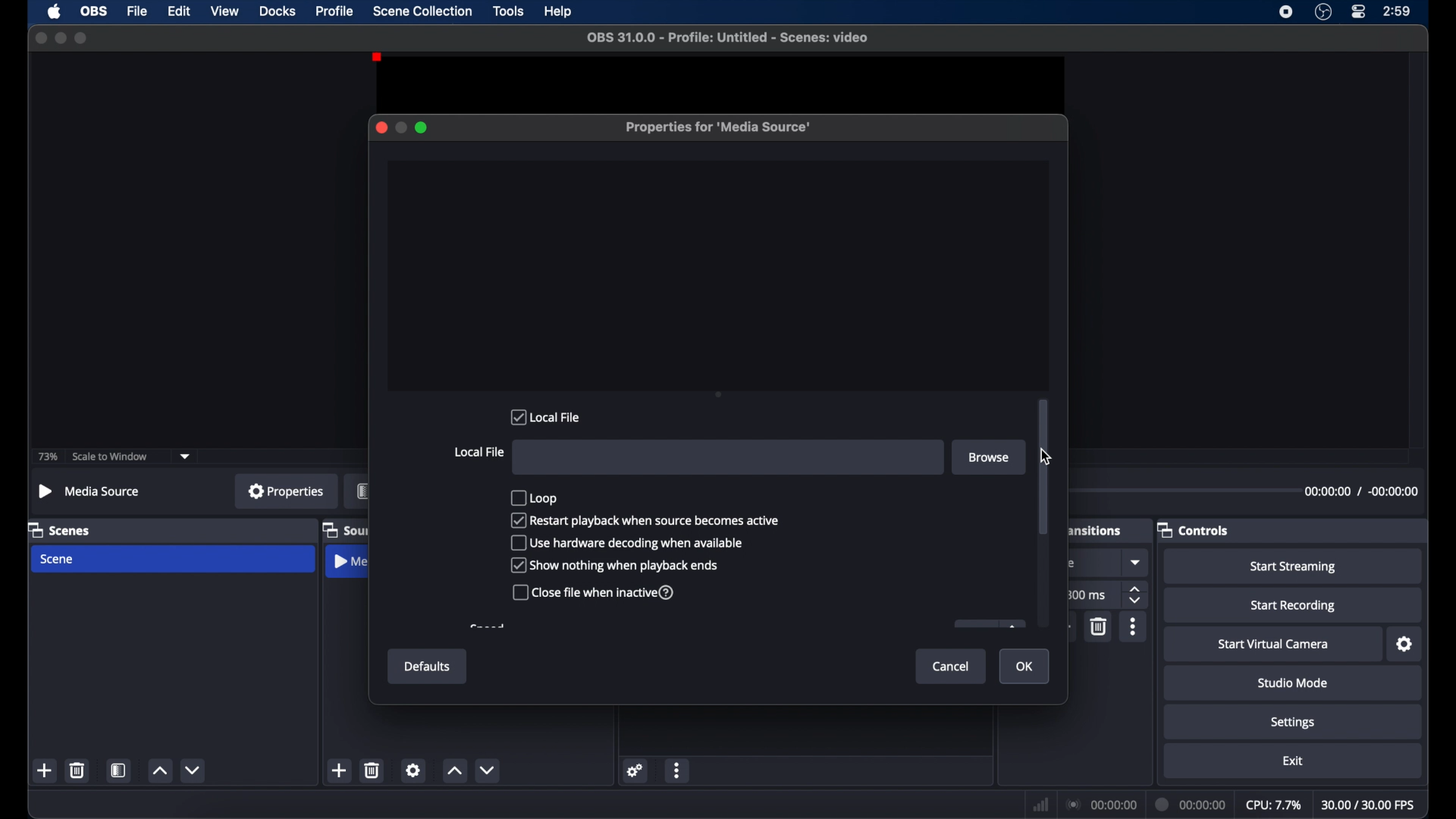  I want to click on studio mode, so click(1291, 684).